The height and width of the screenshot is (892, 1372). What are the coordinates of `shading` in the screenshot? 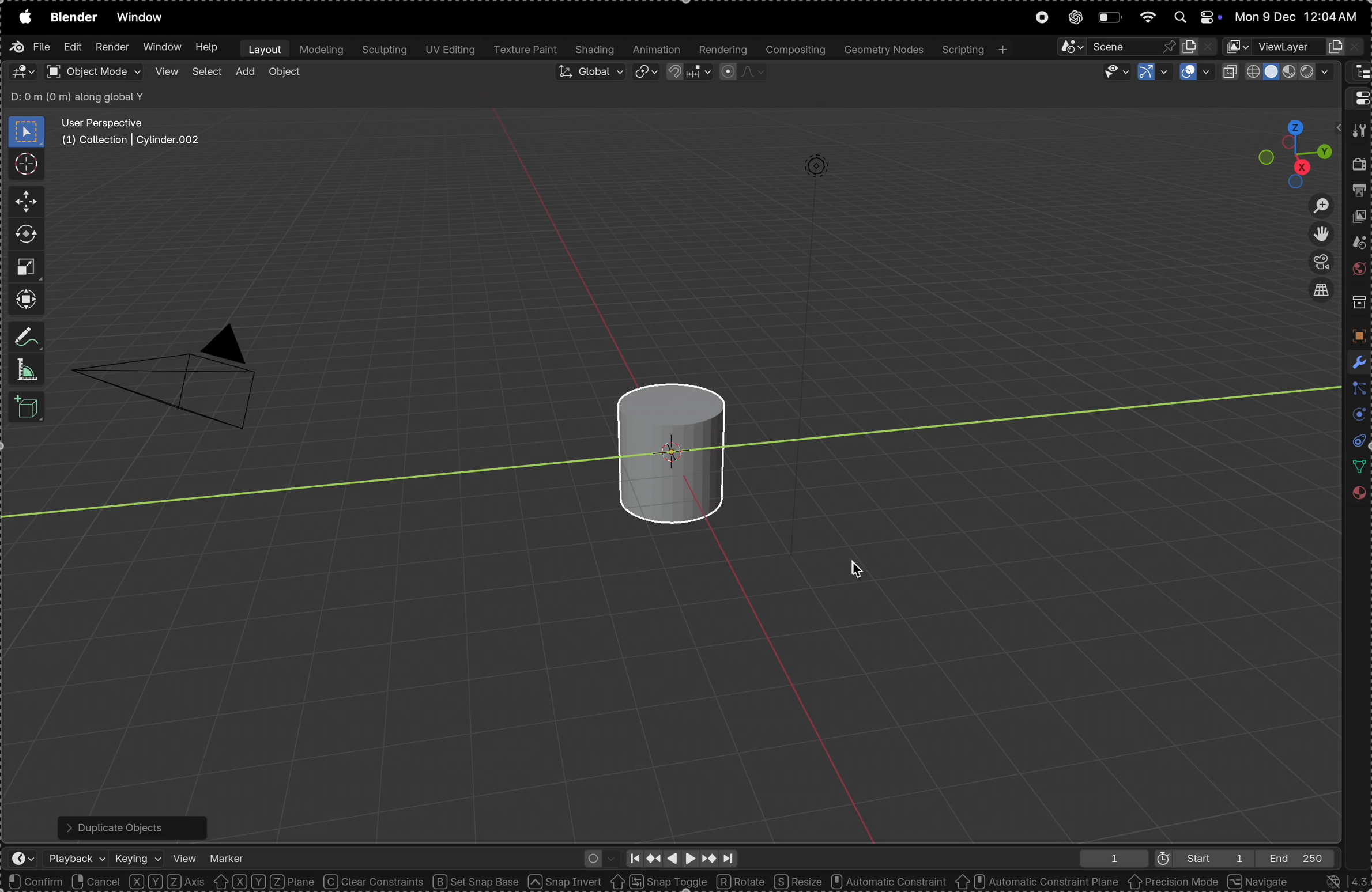 It's located at (595, 50).